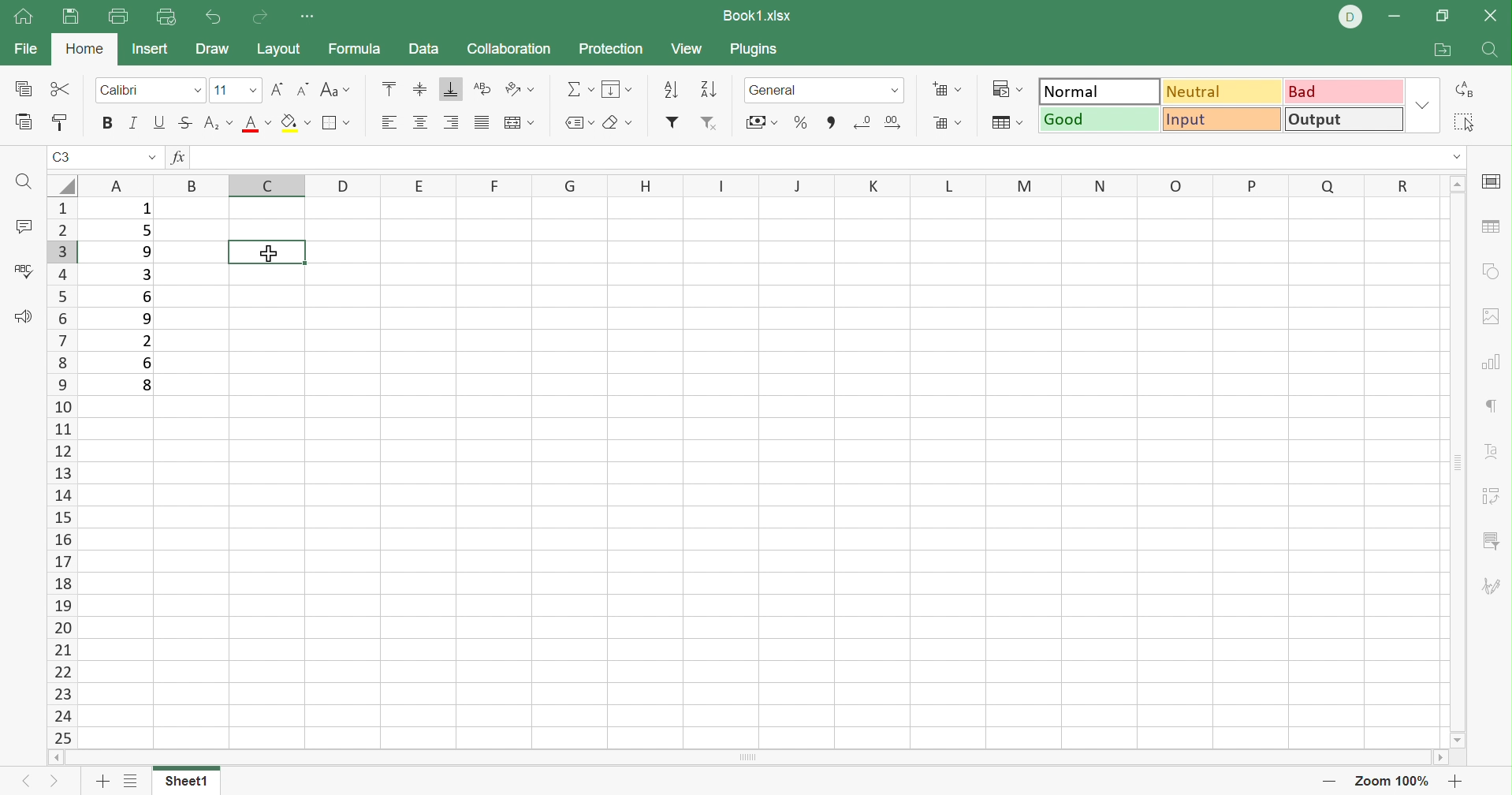 This screenshot has width=1512, height=795. I want to click on fx, so click(177, 159).